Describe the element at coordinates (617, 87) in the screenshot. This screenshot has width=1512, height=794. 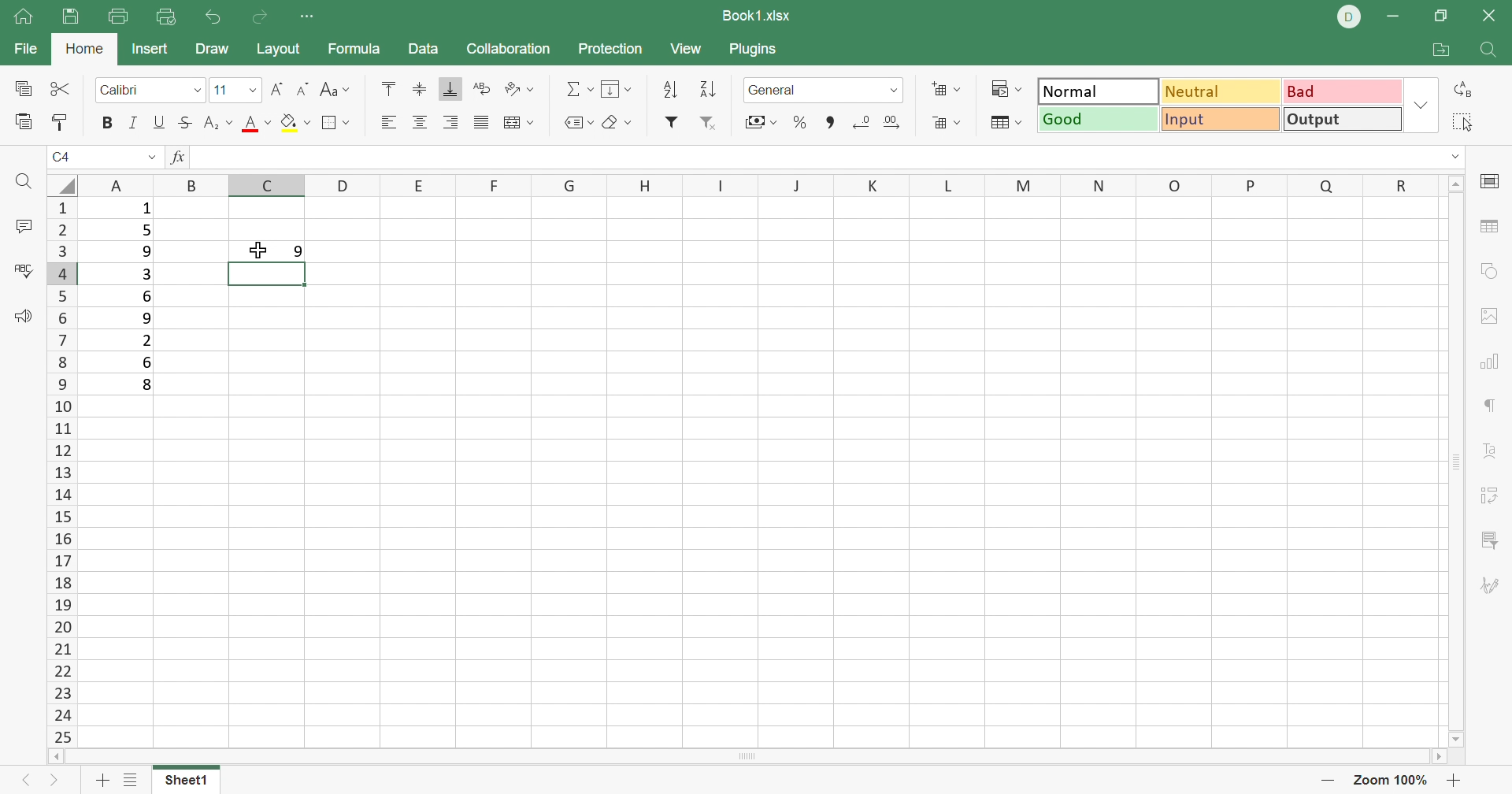
I see `Fill` at that location.